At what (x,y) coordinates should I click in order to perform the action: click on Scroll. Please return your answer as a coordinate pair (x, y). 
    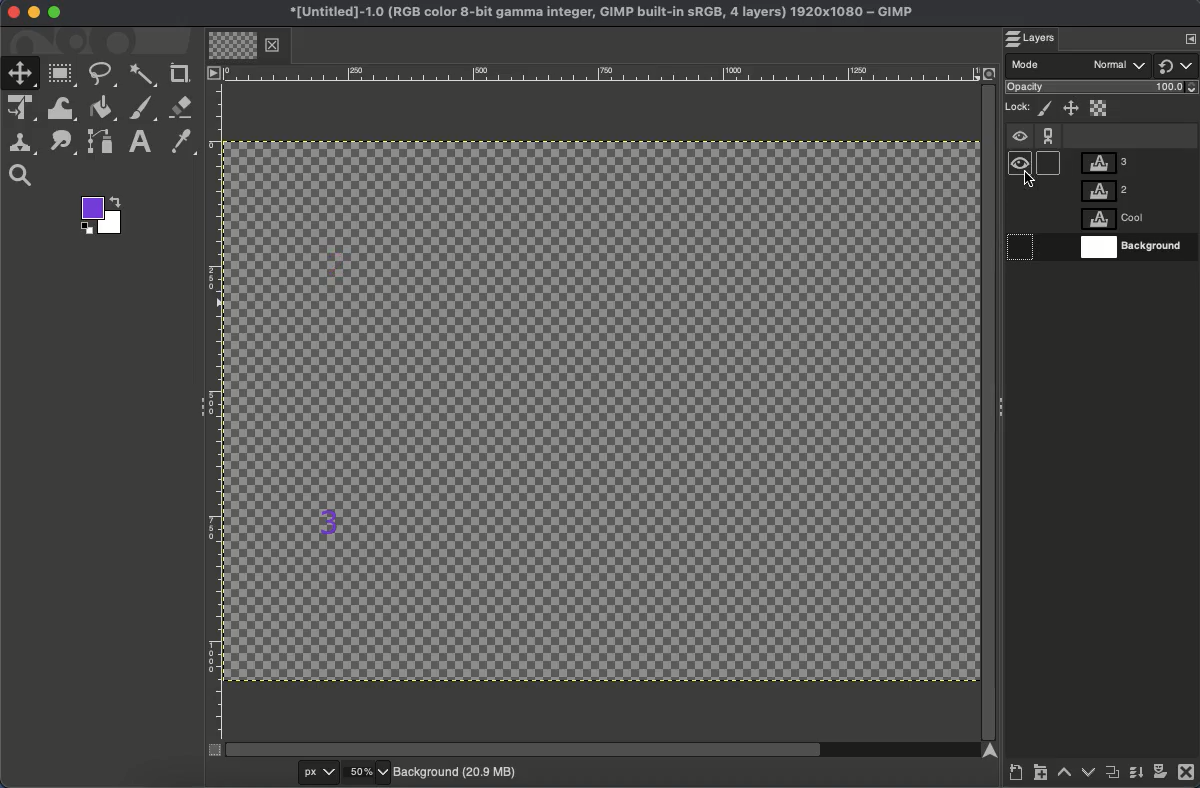
    Looking at the image, I should click on (988, 409).